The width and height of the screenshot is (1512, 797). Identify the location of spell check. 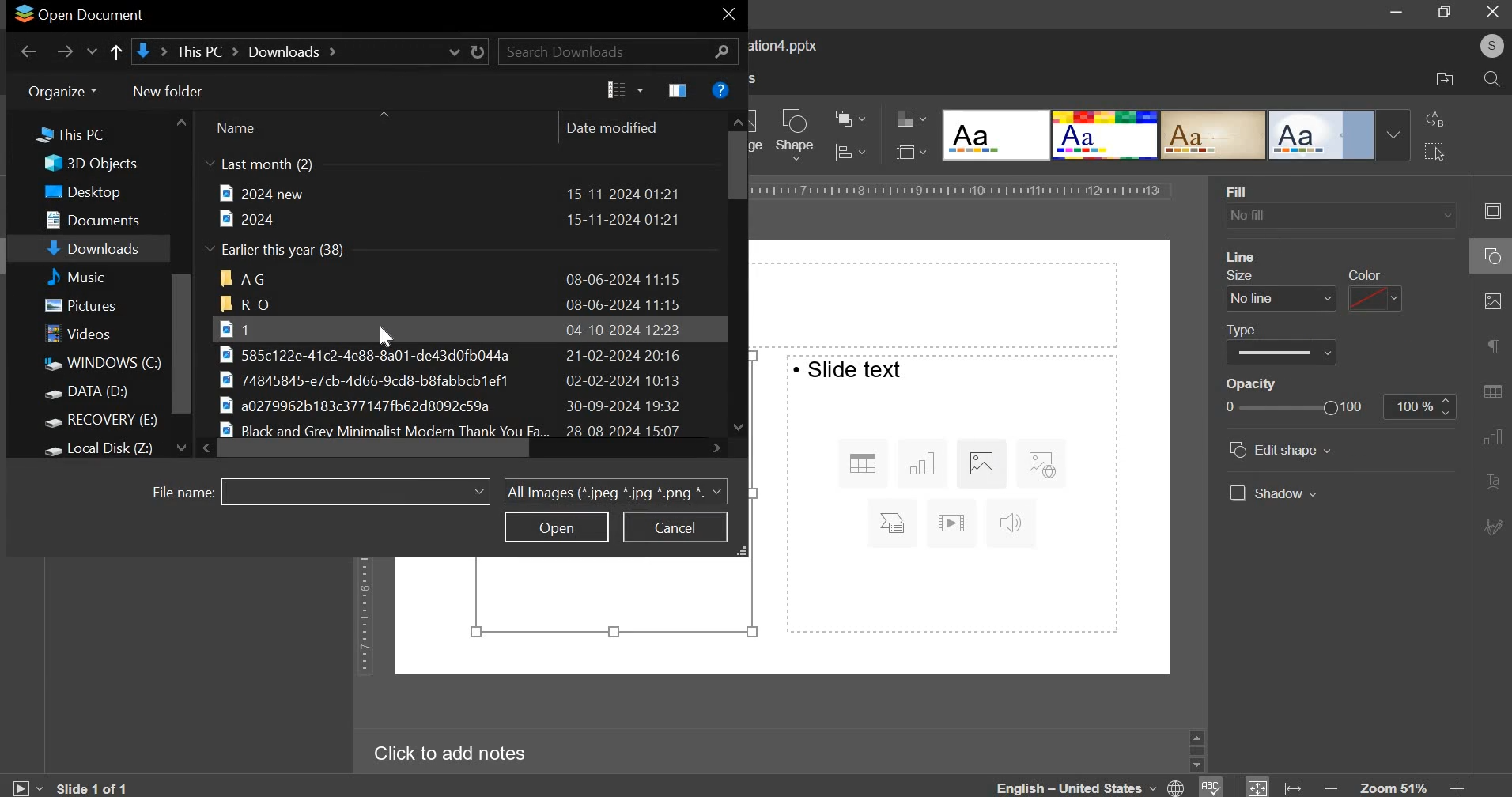
(1212, 787).